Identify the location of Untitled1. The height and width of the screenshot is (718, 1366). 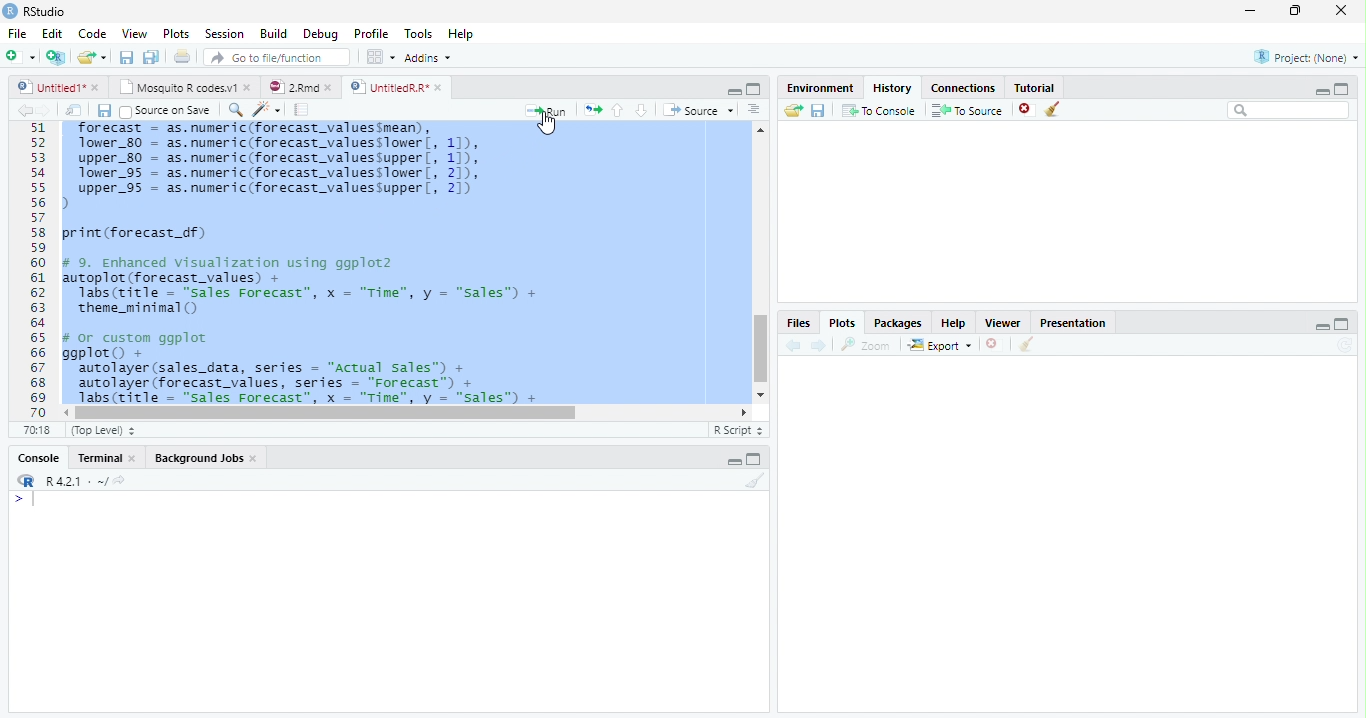
(58, 87).